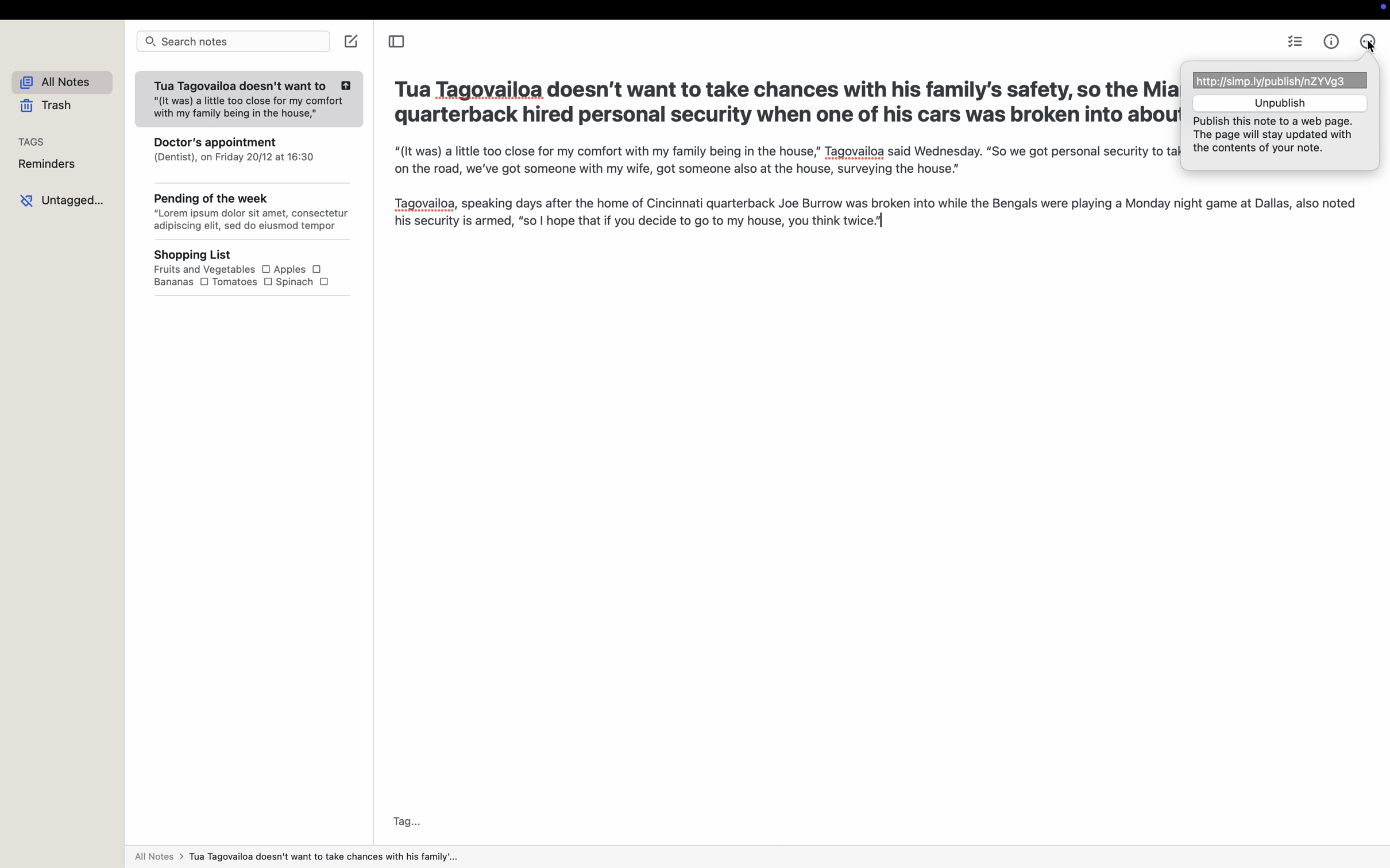 This screenshot has height=868, width=1390. I want to click on tag, so click(408, 821).